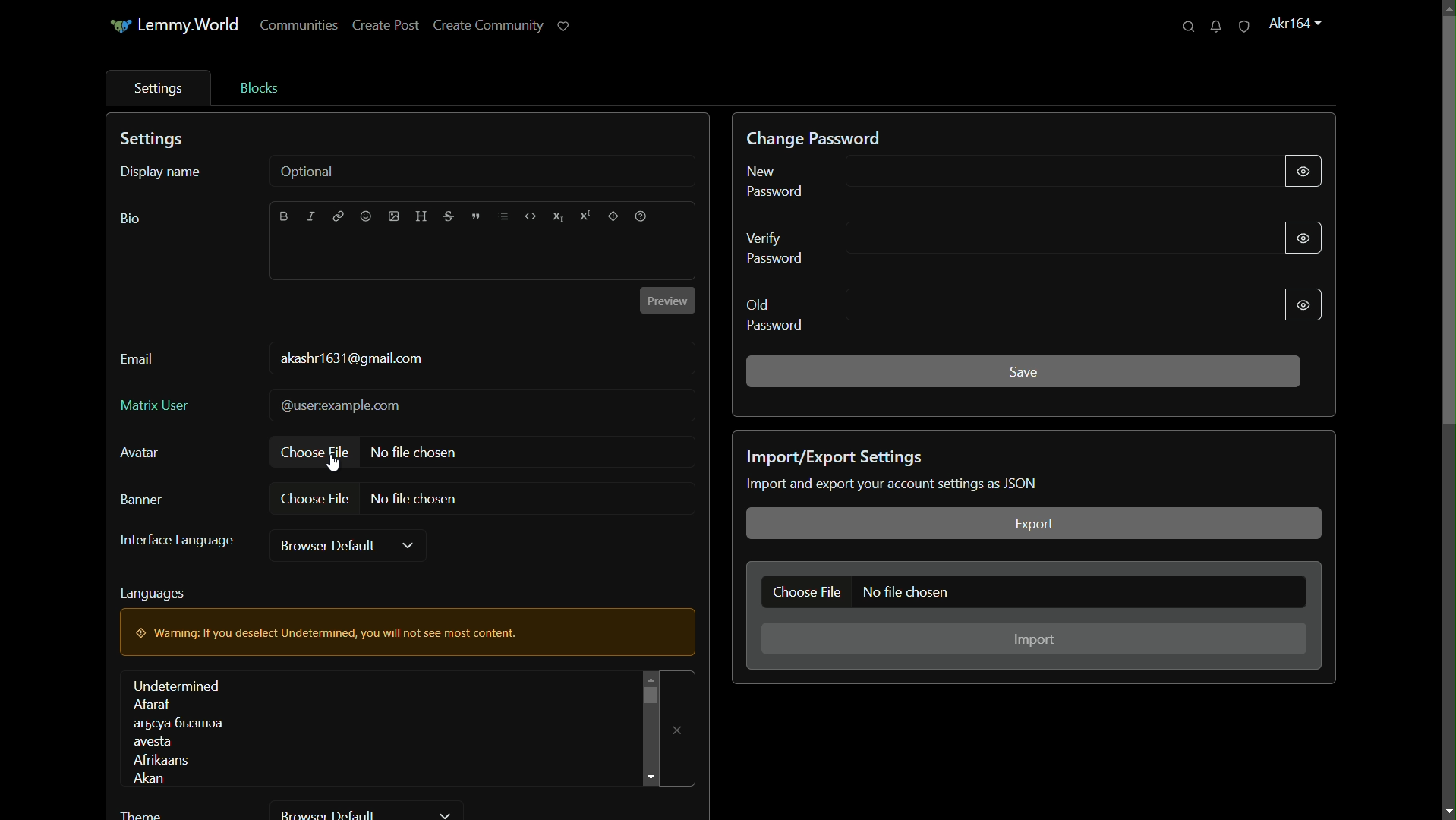 This screenshot has height=820, width=1456. What do you see at coordinates (816, 138) in the screenshot?
I see `change password` at bounding box center [816, 138].